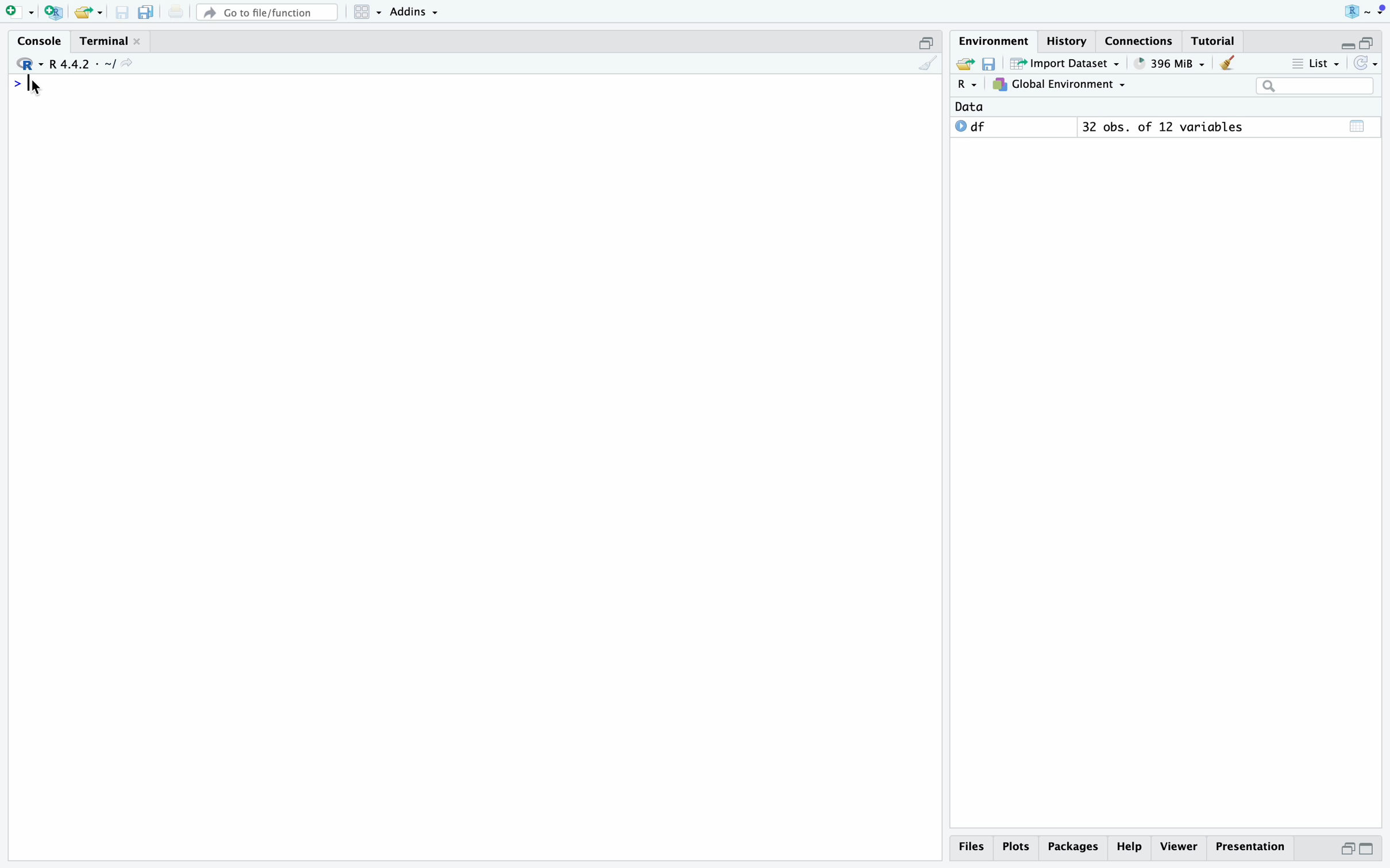 The width and height of the screenshot is (1390, 868). Describe the element at coordinates (1059, 84) in the screenshot. I see `Global enviornment` at that location.